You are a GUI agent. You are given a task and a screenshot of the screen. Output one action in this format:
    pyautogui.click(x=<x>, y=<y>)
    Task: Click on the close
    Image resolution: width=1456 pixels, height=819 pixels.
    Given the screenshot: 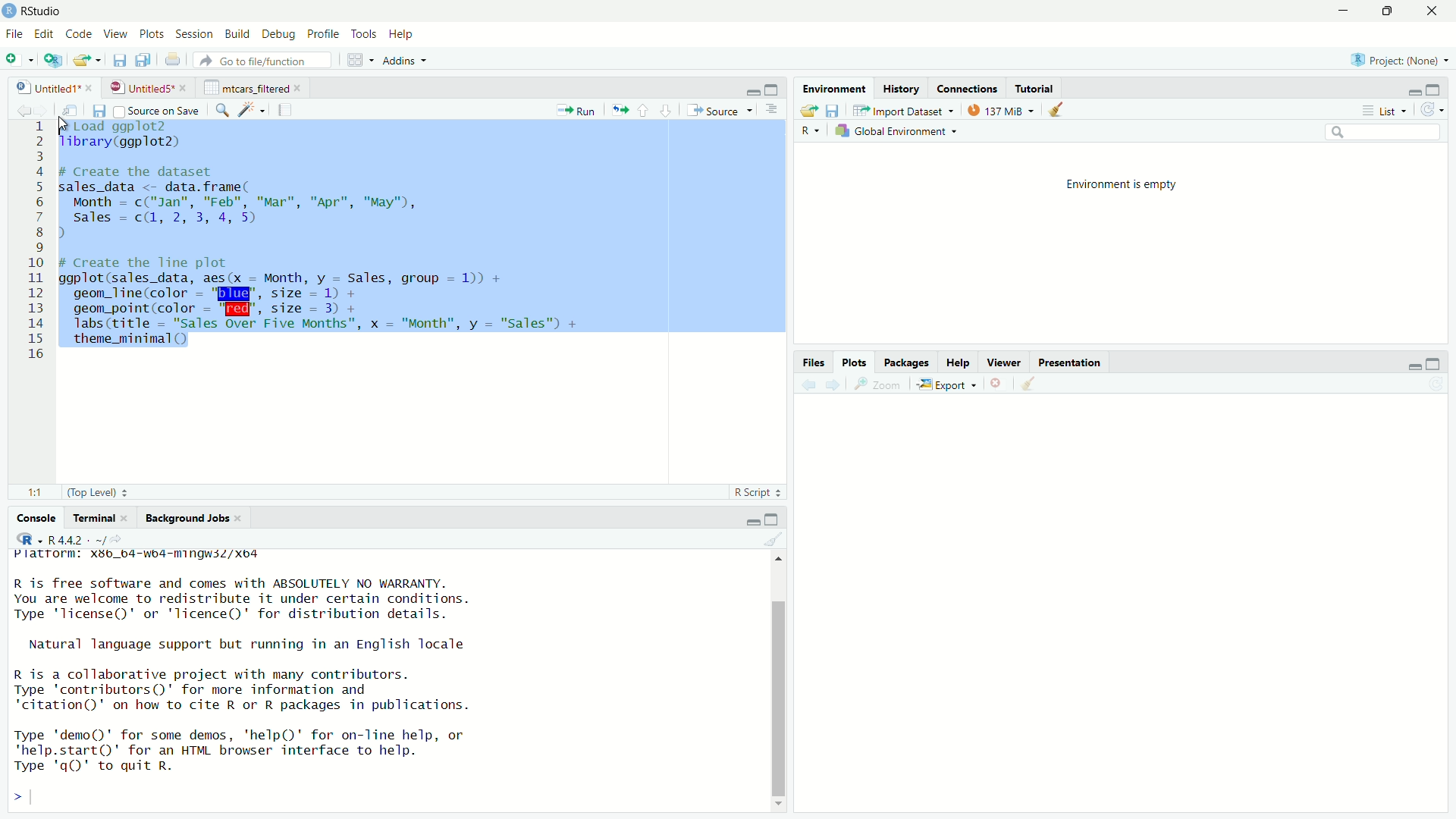 What is the action you would take?
    pyautogui.click(x=89, y=87)
    